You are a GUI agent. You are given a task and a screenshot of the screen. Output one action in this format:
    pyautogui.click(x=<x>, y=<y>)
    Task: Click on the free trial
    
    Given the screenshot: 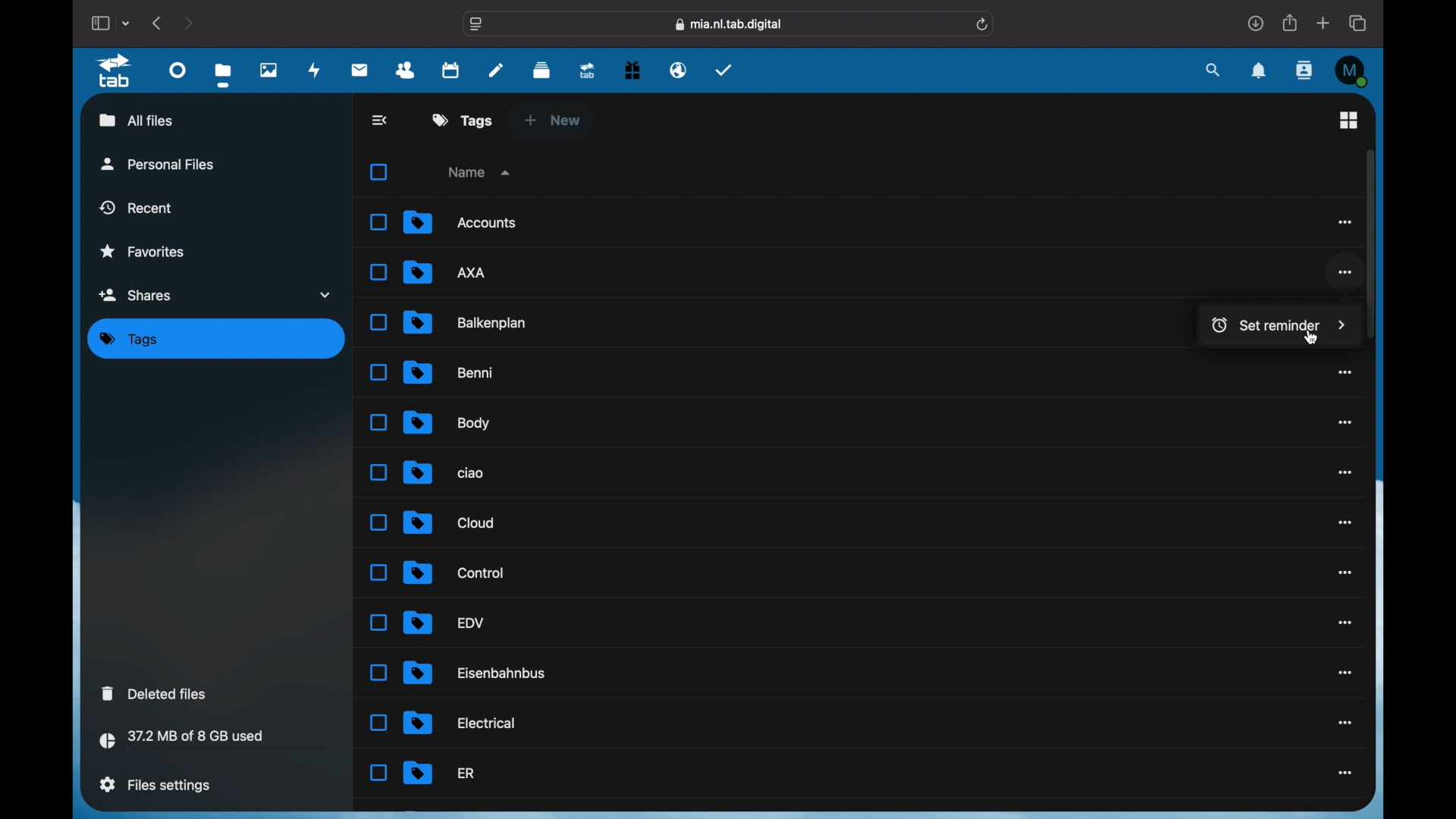 What is the action you would take?
    pyautogui.click(x=632, y=68)
    